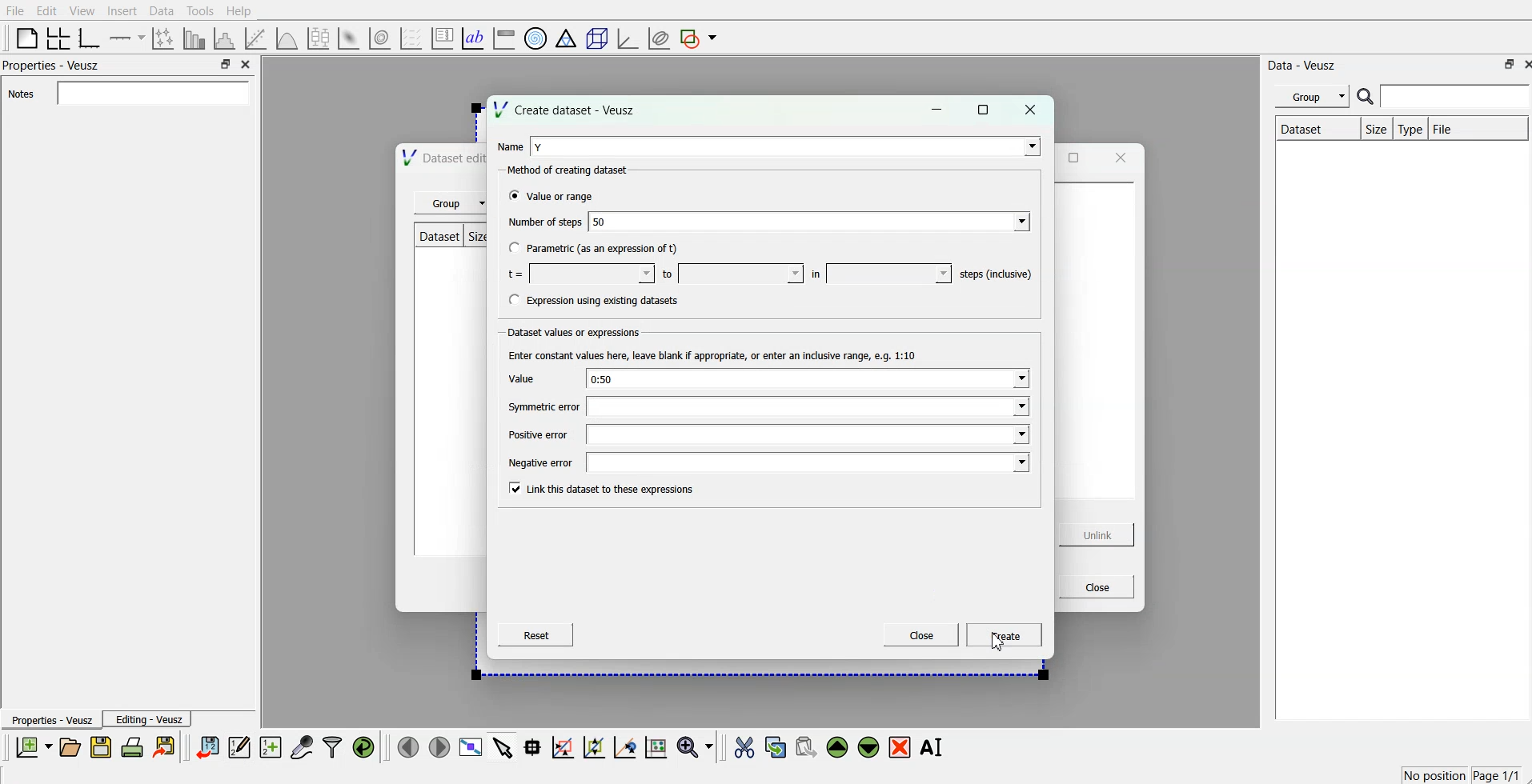 The image size is (1532, 784). What do you see at coordinates (165, 748) in the screenshot?
I see `export document` at bounding box center [165, 748].